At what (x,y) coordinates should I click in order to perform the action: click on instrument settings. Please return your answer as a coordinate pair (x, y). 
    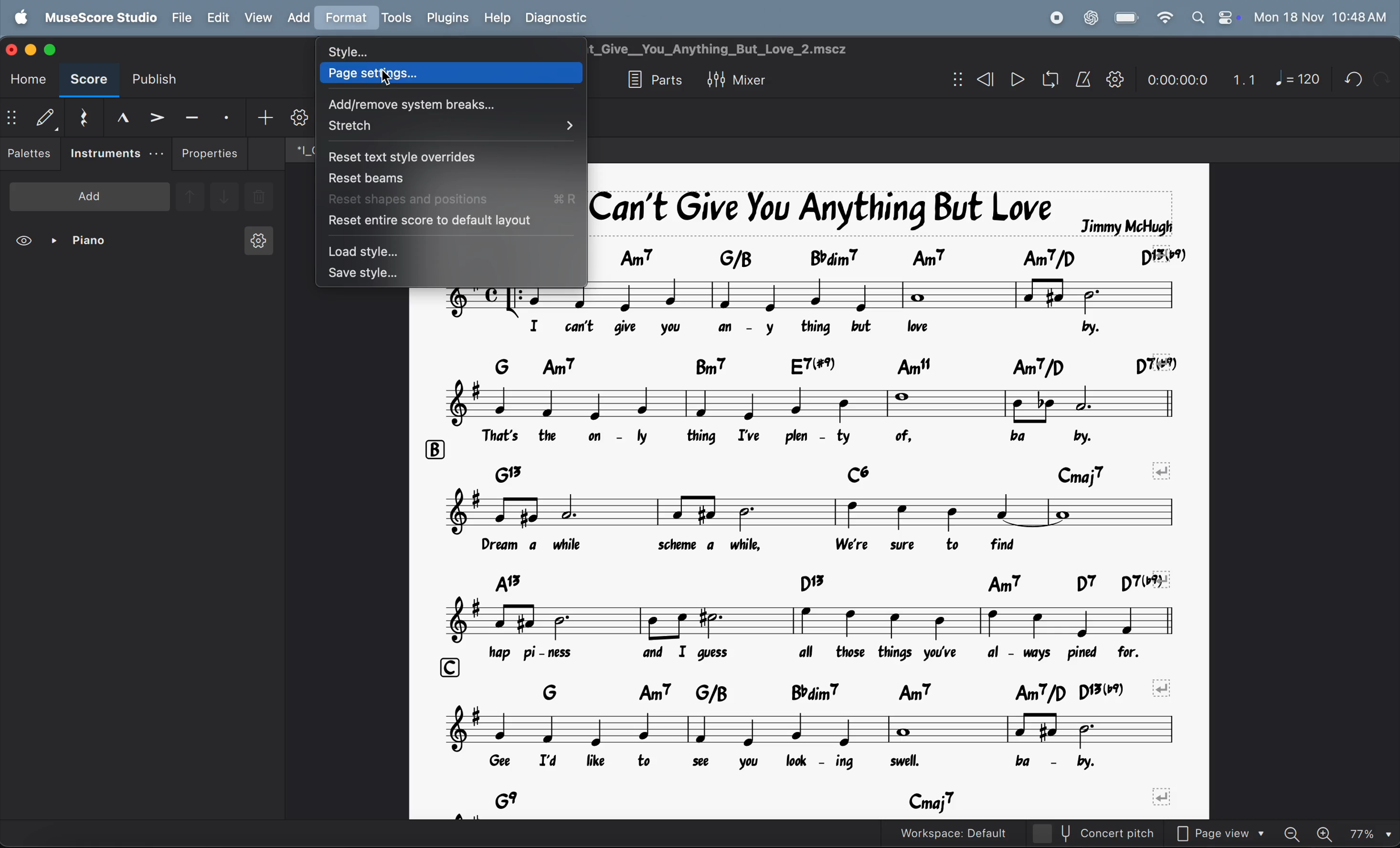
    Looking at the image, I should click on (257, 244).